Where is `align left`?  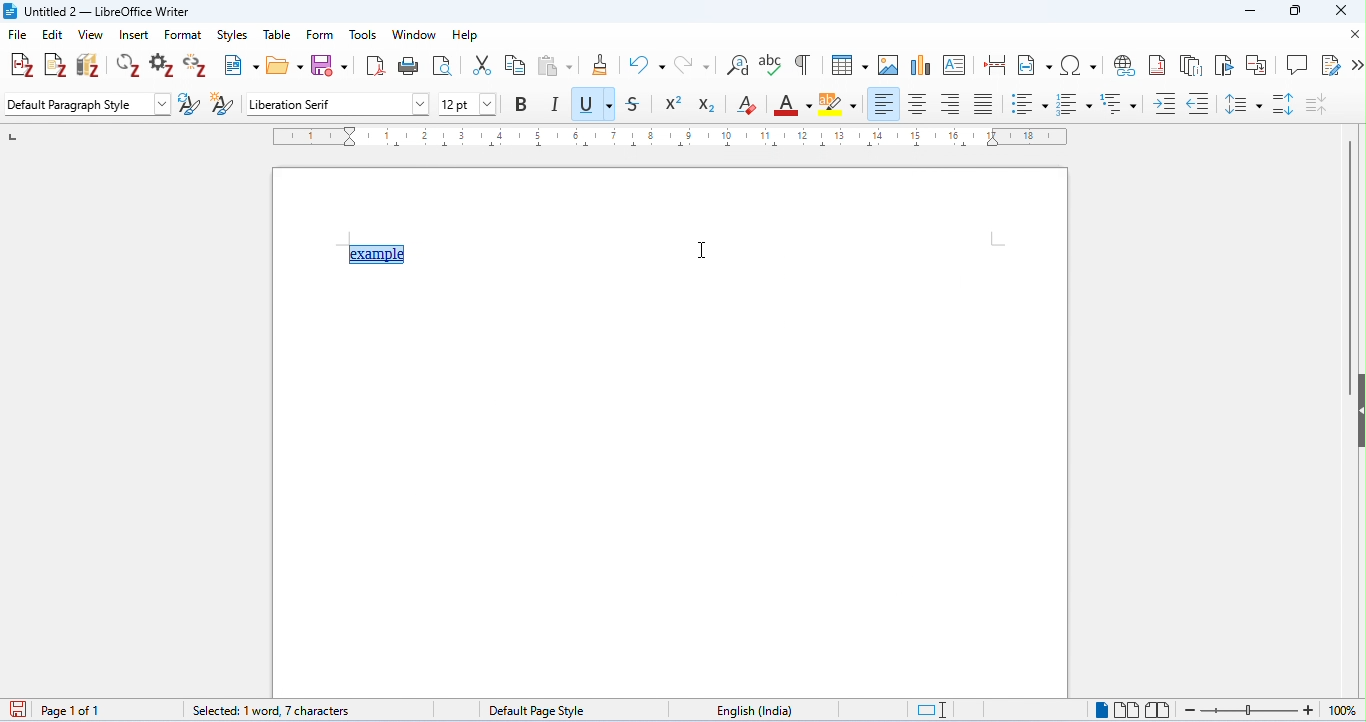 align left is located at coordinates (884, 104).